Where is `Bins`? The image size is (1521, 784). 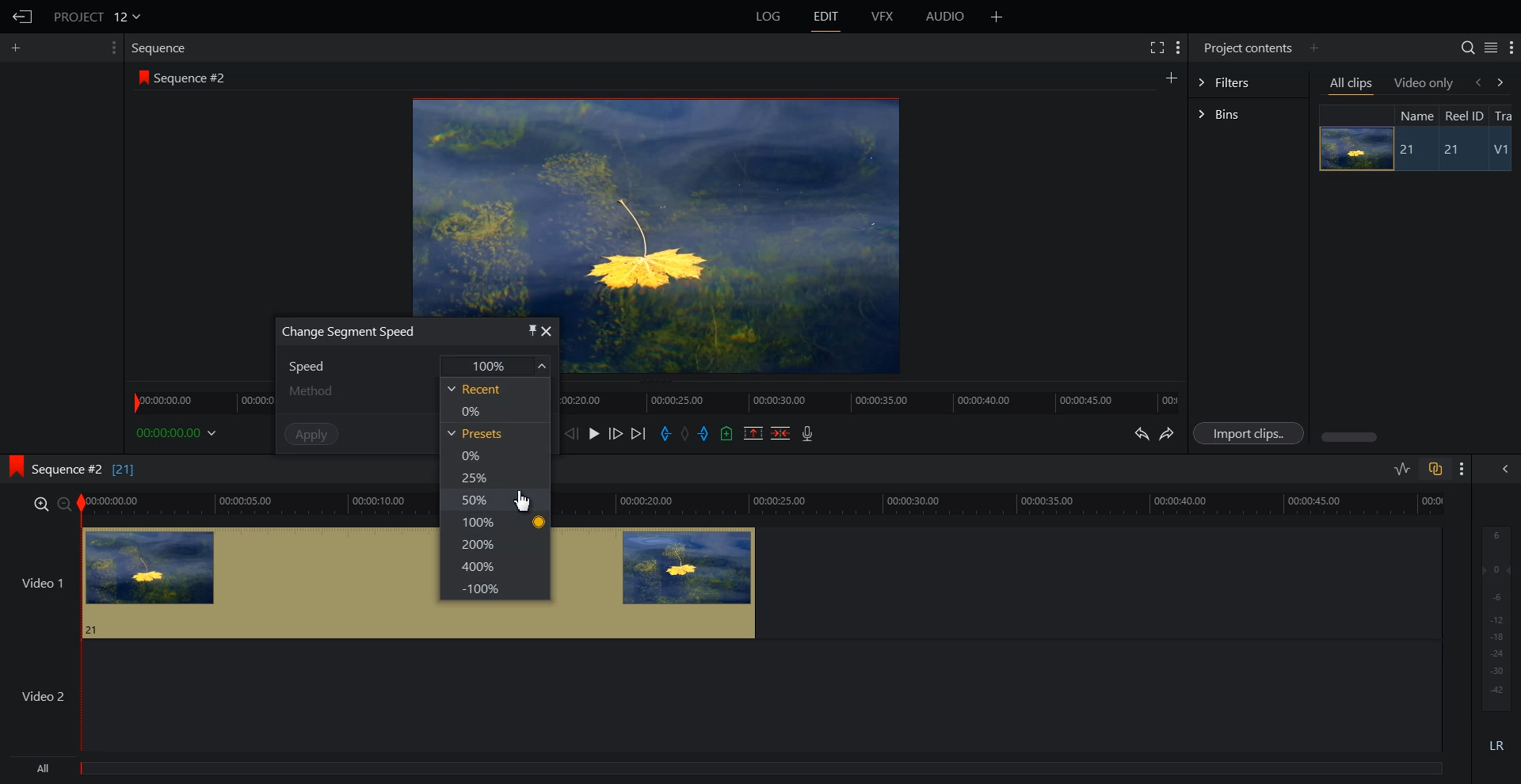
Bins is located at coordinates (1248, 116).